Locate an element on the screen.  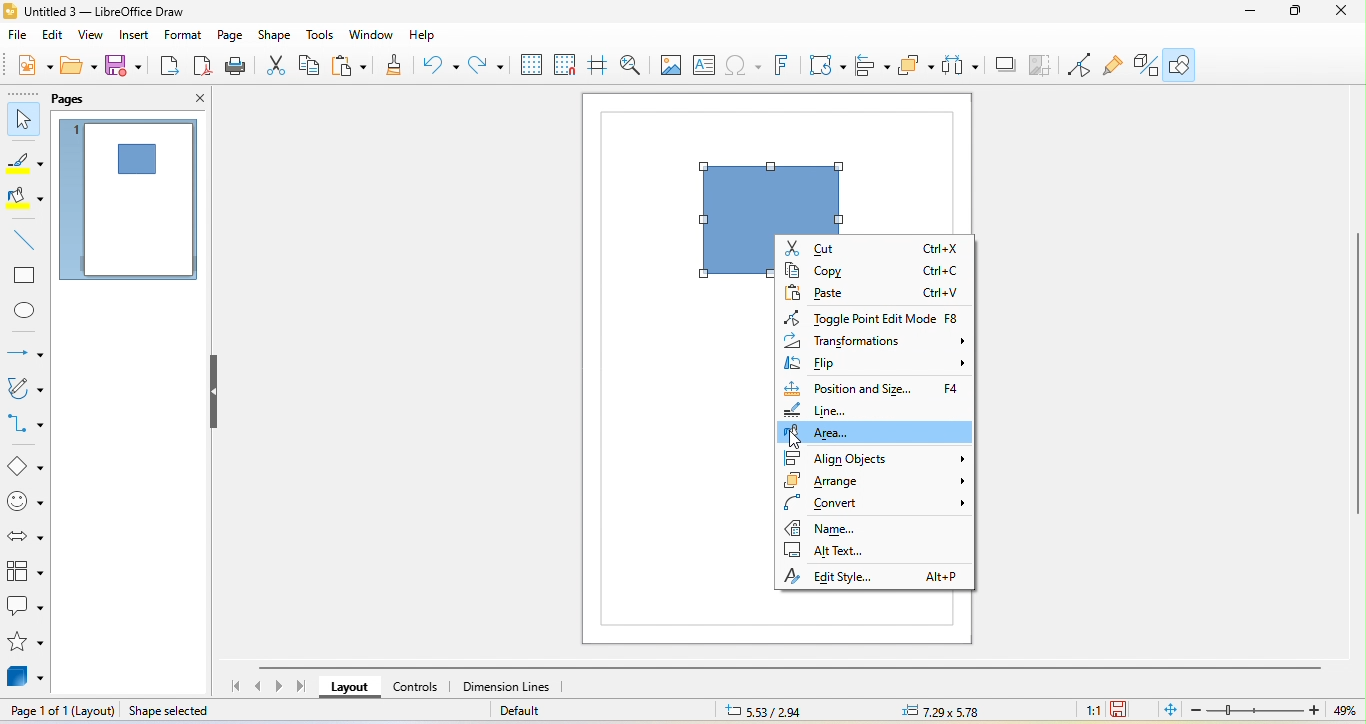
snap to grid is located at coordinates (567, 68).